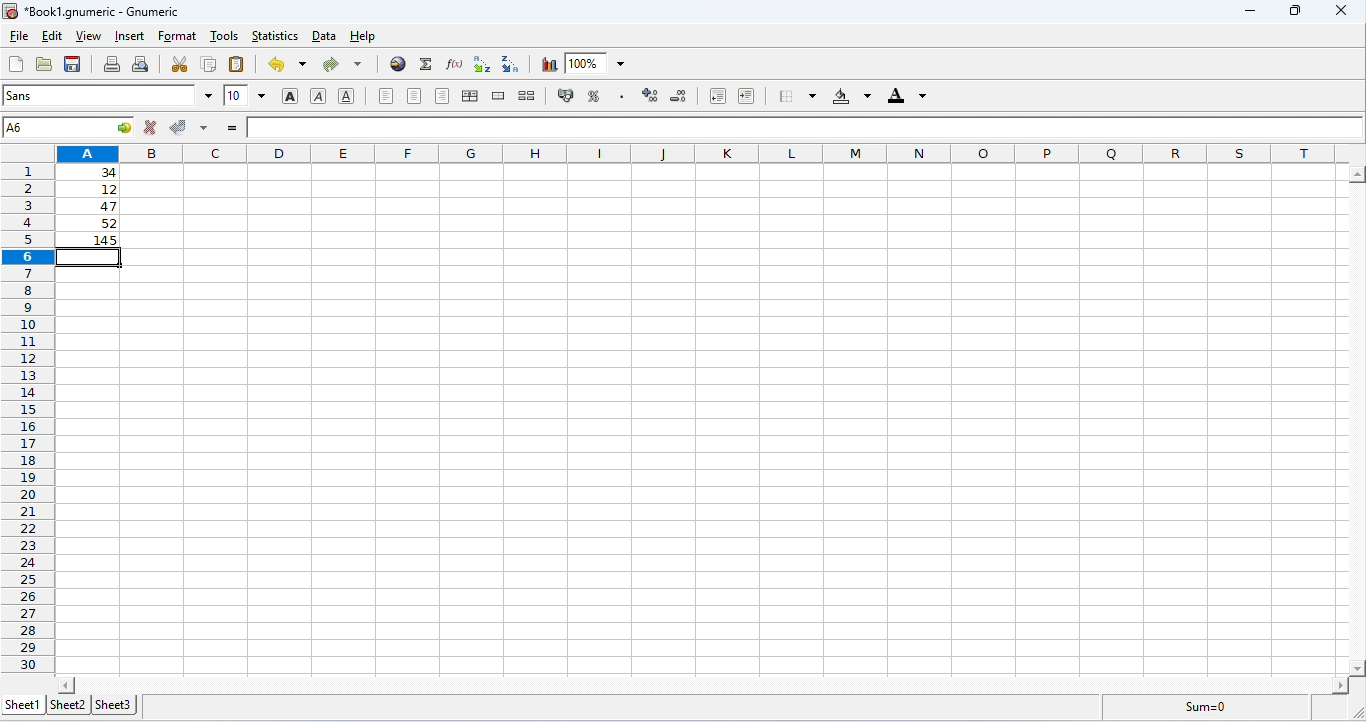 The height and width of the screenshot is (722, 1366). I want to click on format as percent, so click(594, 96).